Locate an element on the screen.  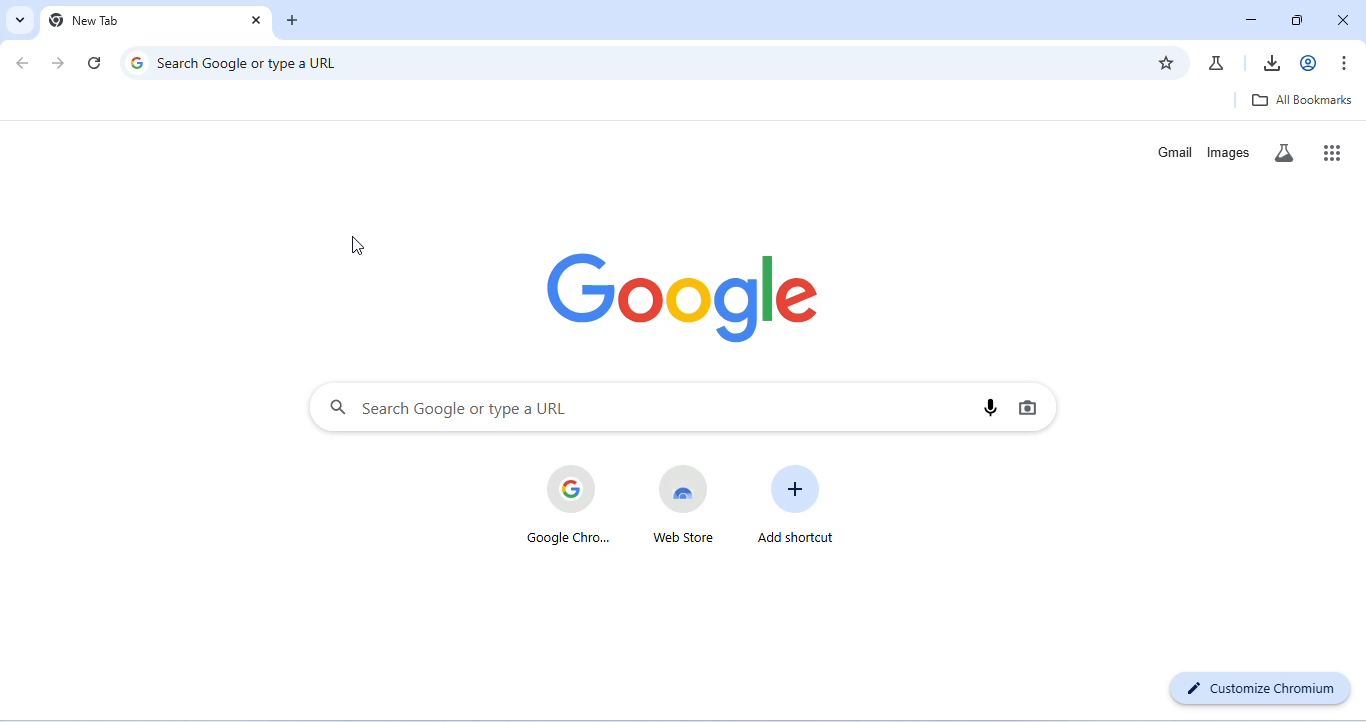
google chrome is located at coordinates (569, 503).